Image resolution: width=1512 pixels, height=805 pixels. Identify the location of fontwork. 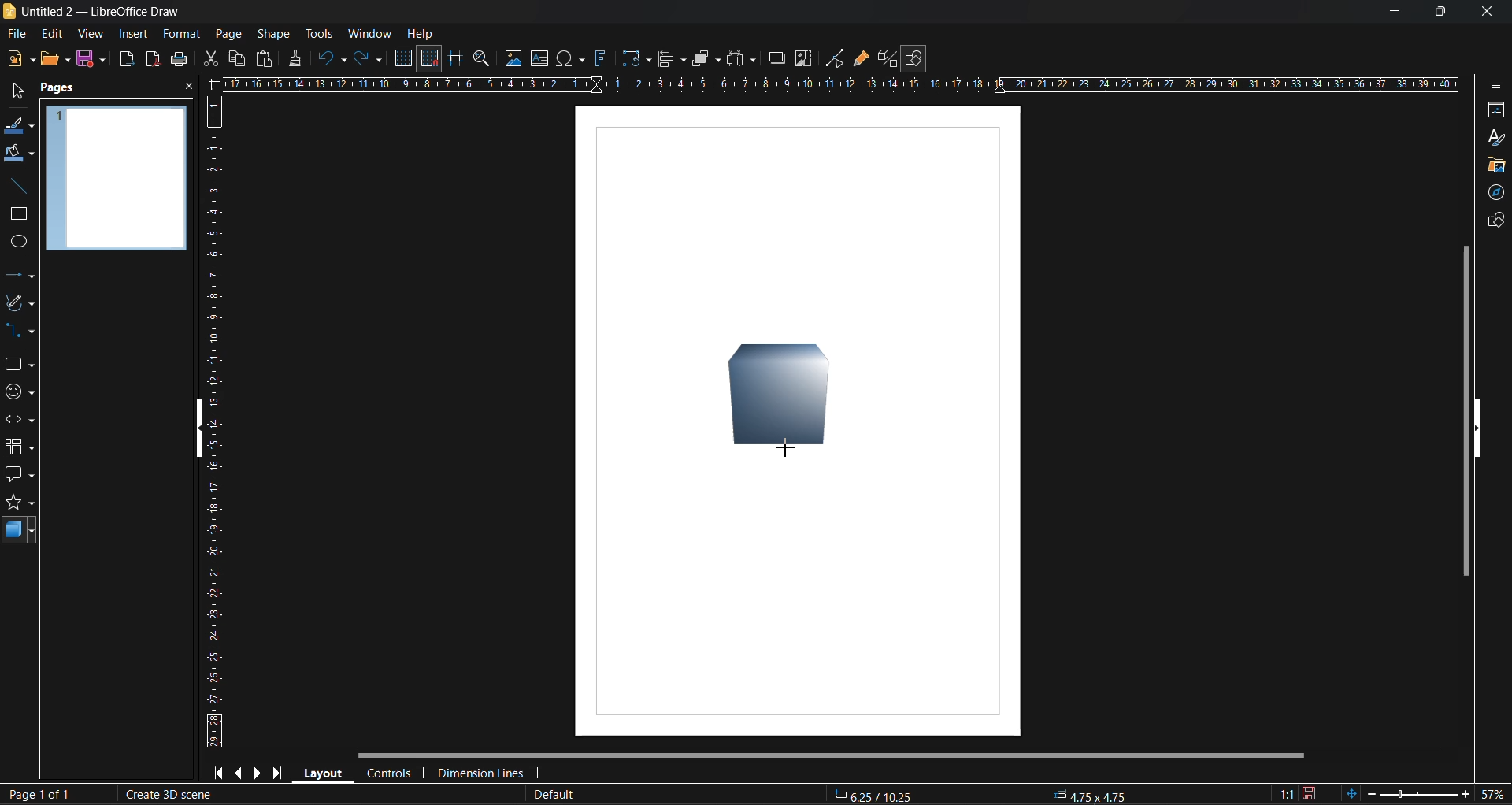
(603, 57).